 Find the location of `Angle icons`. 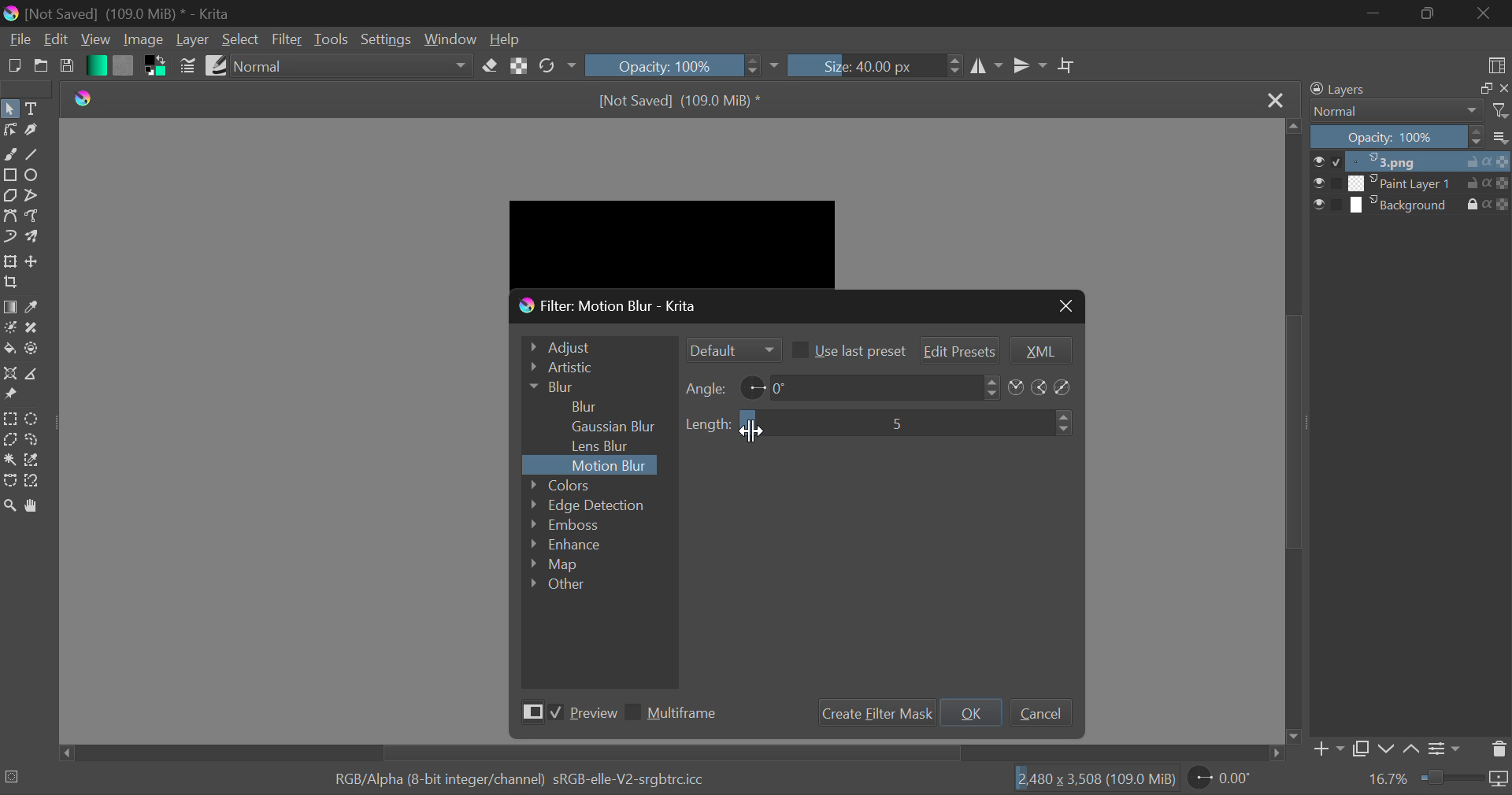

Angle icons is located at coordinates (1042, 388).